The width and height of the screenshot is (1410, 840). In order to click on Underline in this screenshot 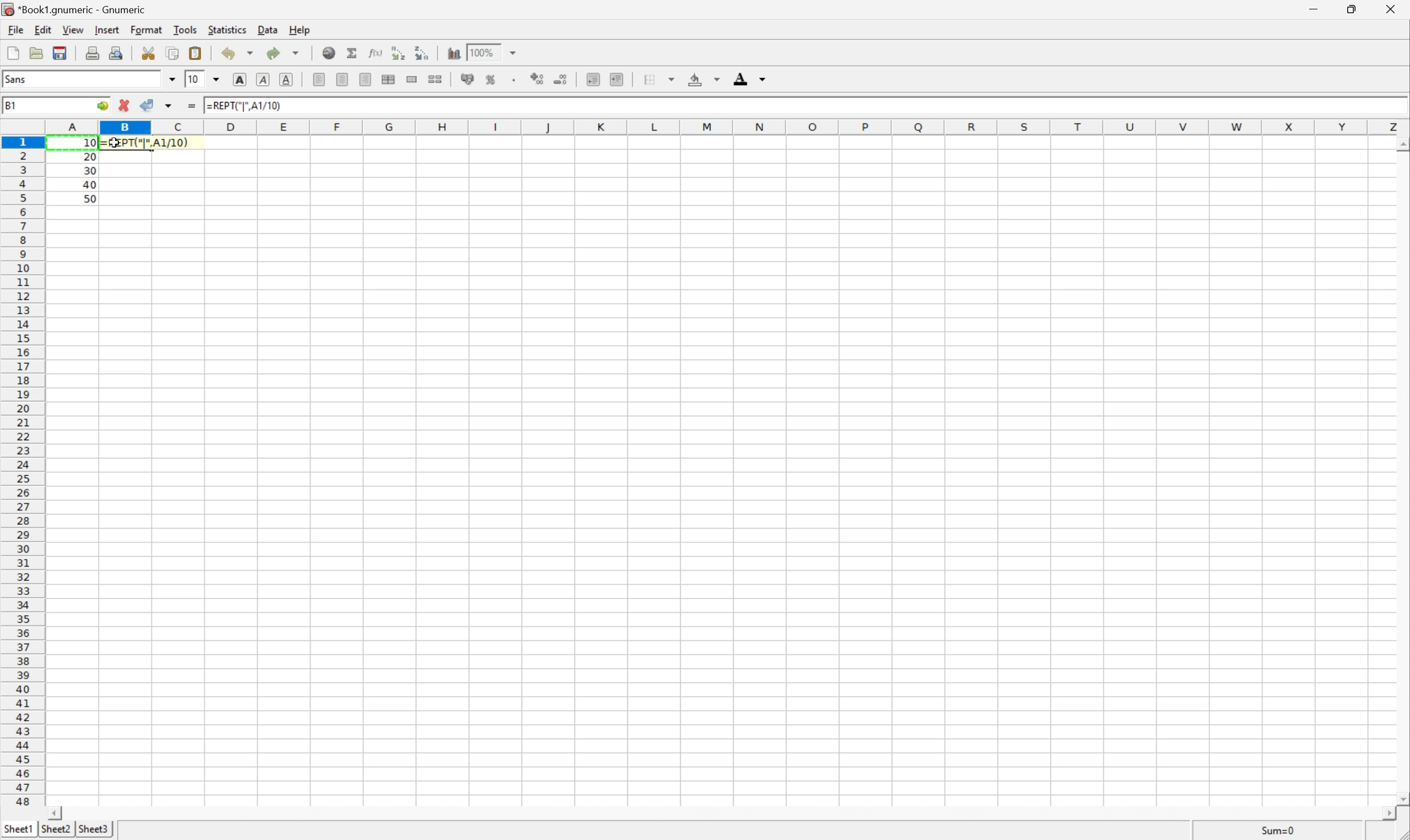, I will do `click(287, 79)`.